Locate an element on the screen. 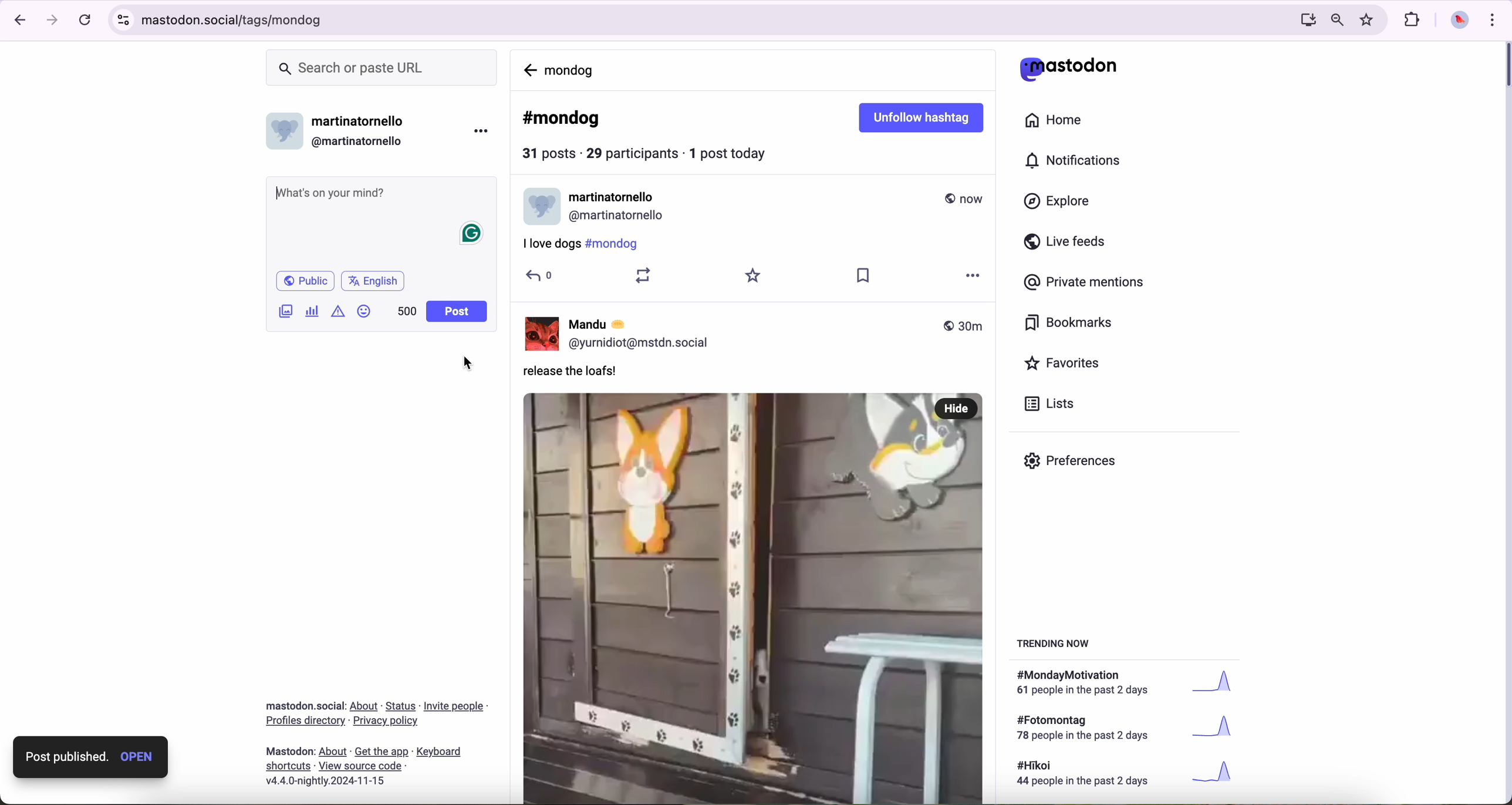  text is located at coordinates (1086, 729).